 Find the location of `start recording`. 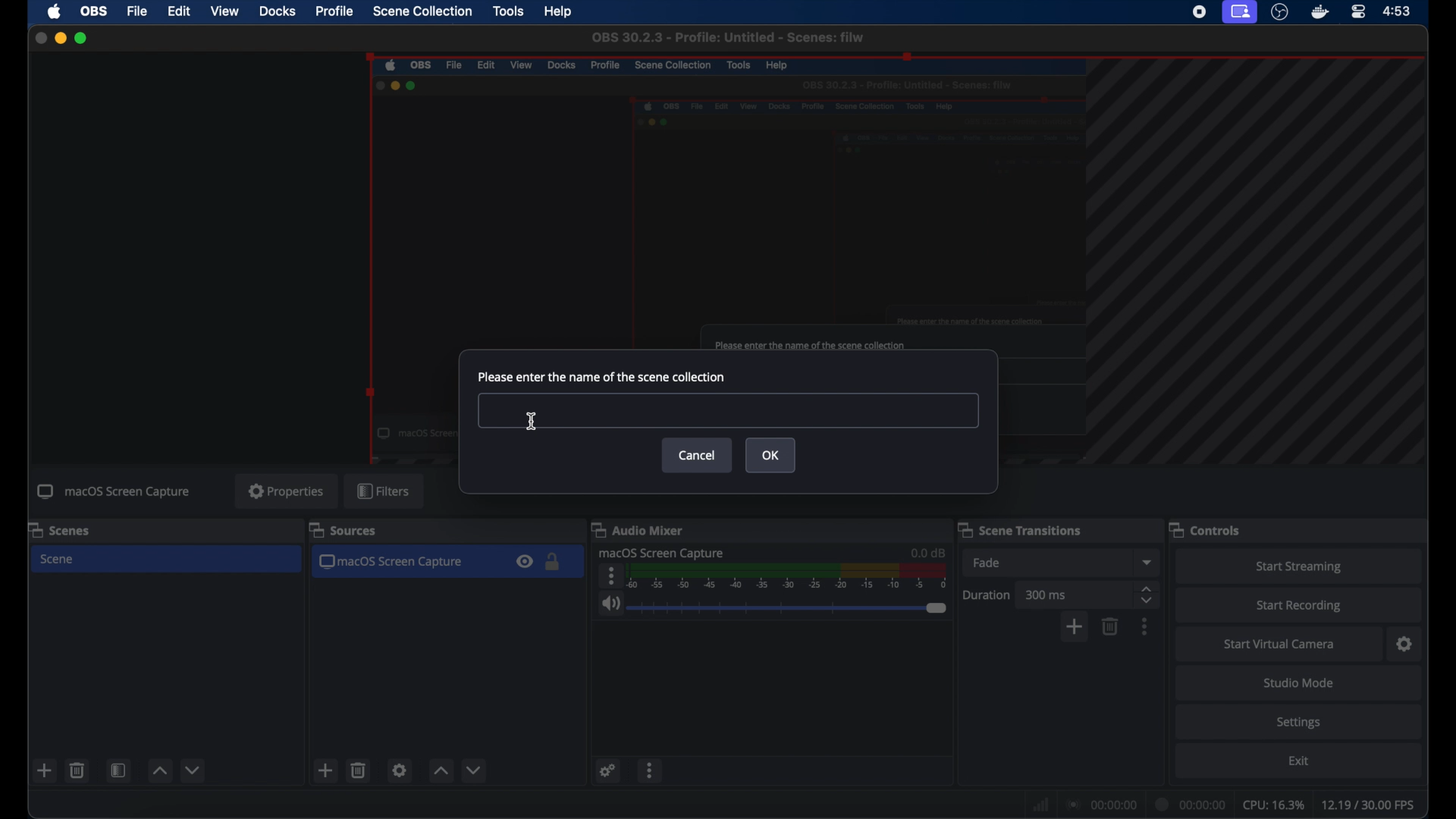

start recording is located at coordinates (1303, 604).